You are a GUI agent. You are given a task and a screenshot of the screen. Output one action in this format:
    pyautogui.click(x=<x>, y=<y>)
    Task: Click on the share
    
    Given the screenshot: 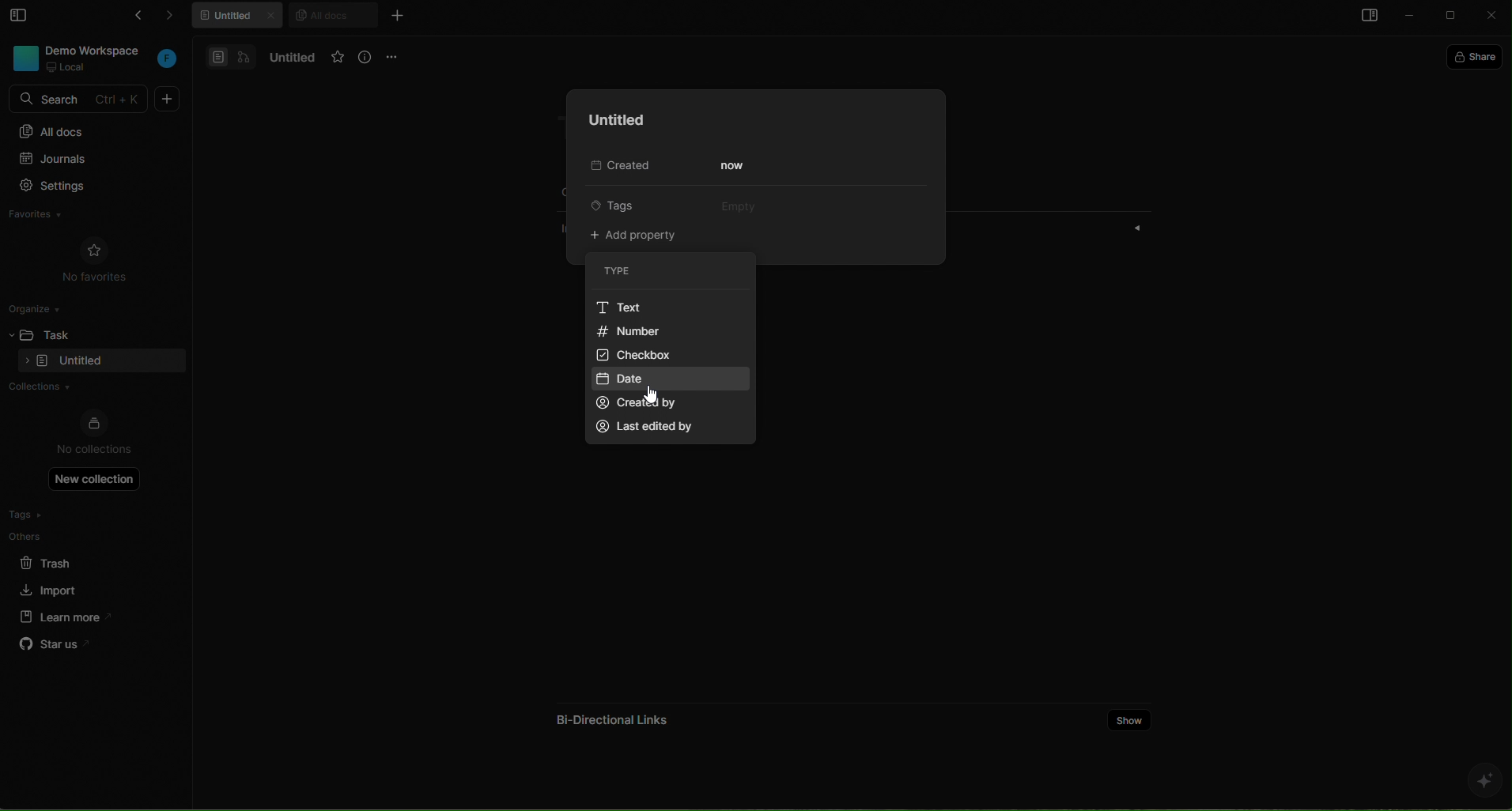 What is the action you would take?
    pyautogui.click(x=1478, y=55)
    